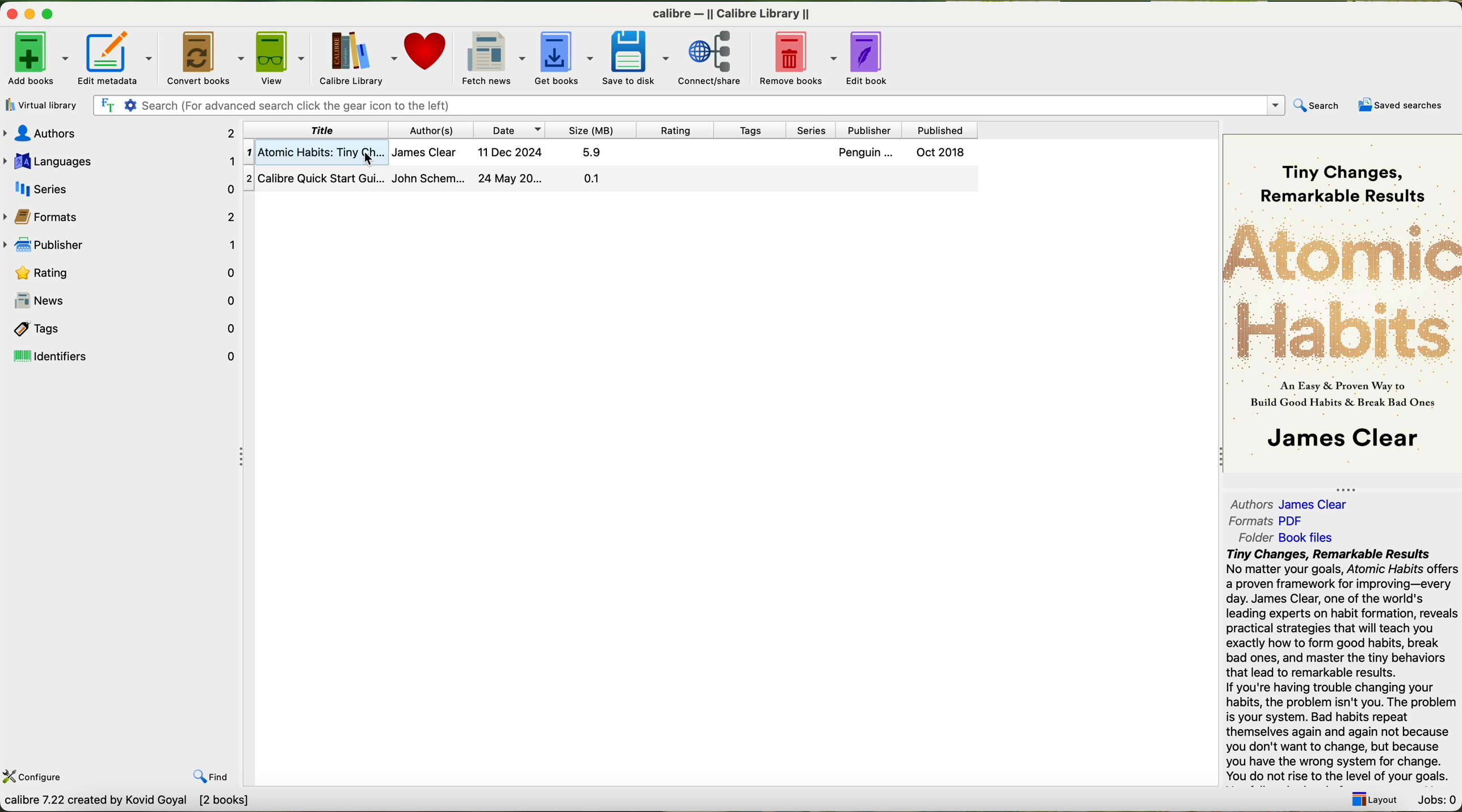 Image resolution: width=1462 pixels, height=812 pixels. I want to click on author(s), so click(430, 130).